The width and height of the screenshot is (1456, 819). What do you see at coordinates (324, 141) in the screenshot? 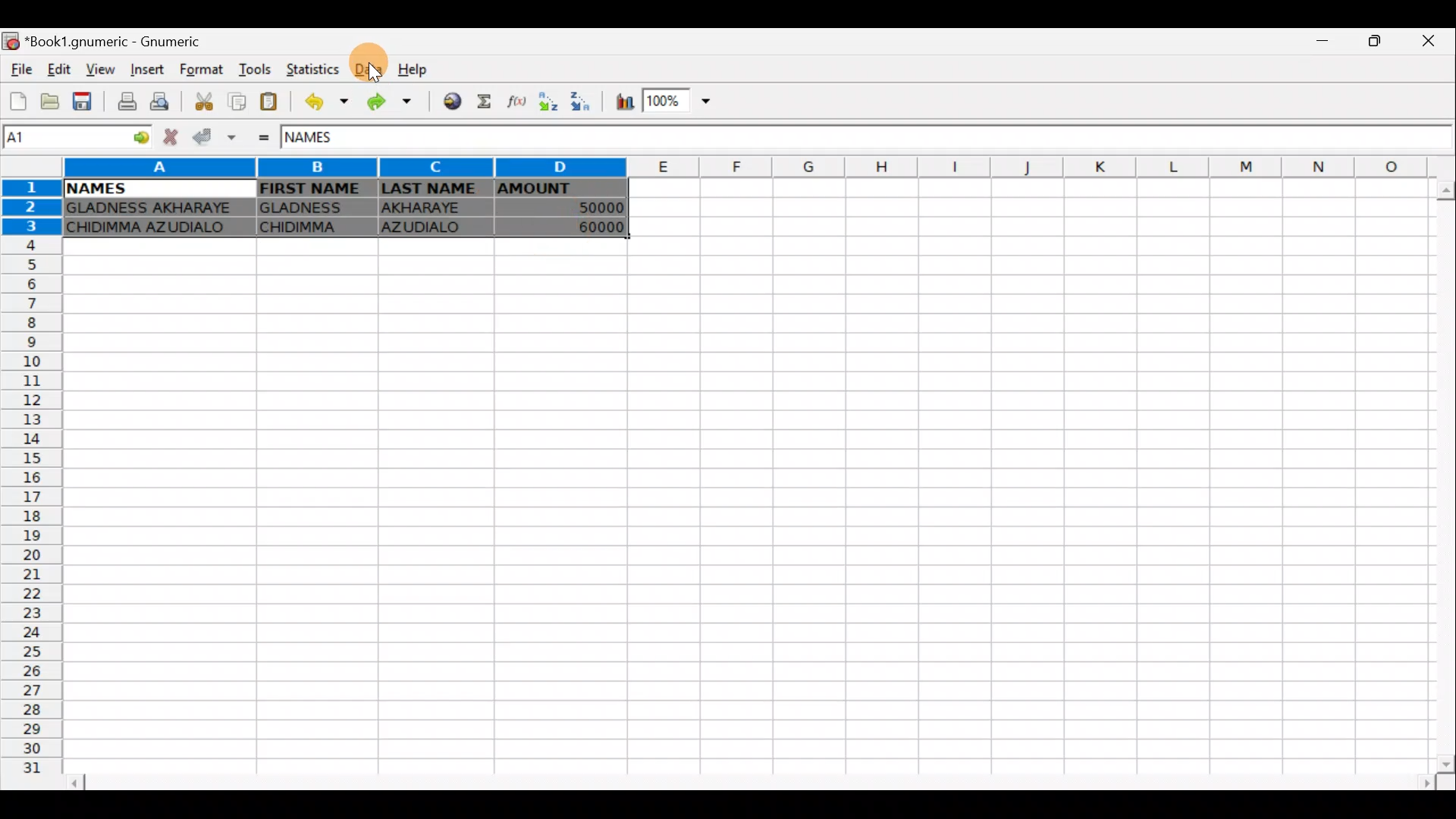
I see `NAMES` at bounding box center [324, 141].